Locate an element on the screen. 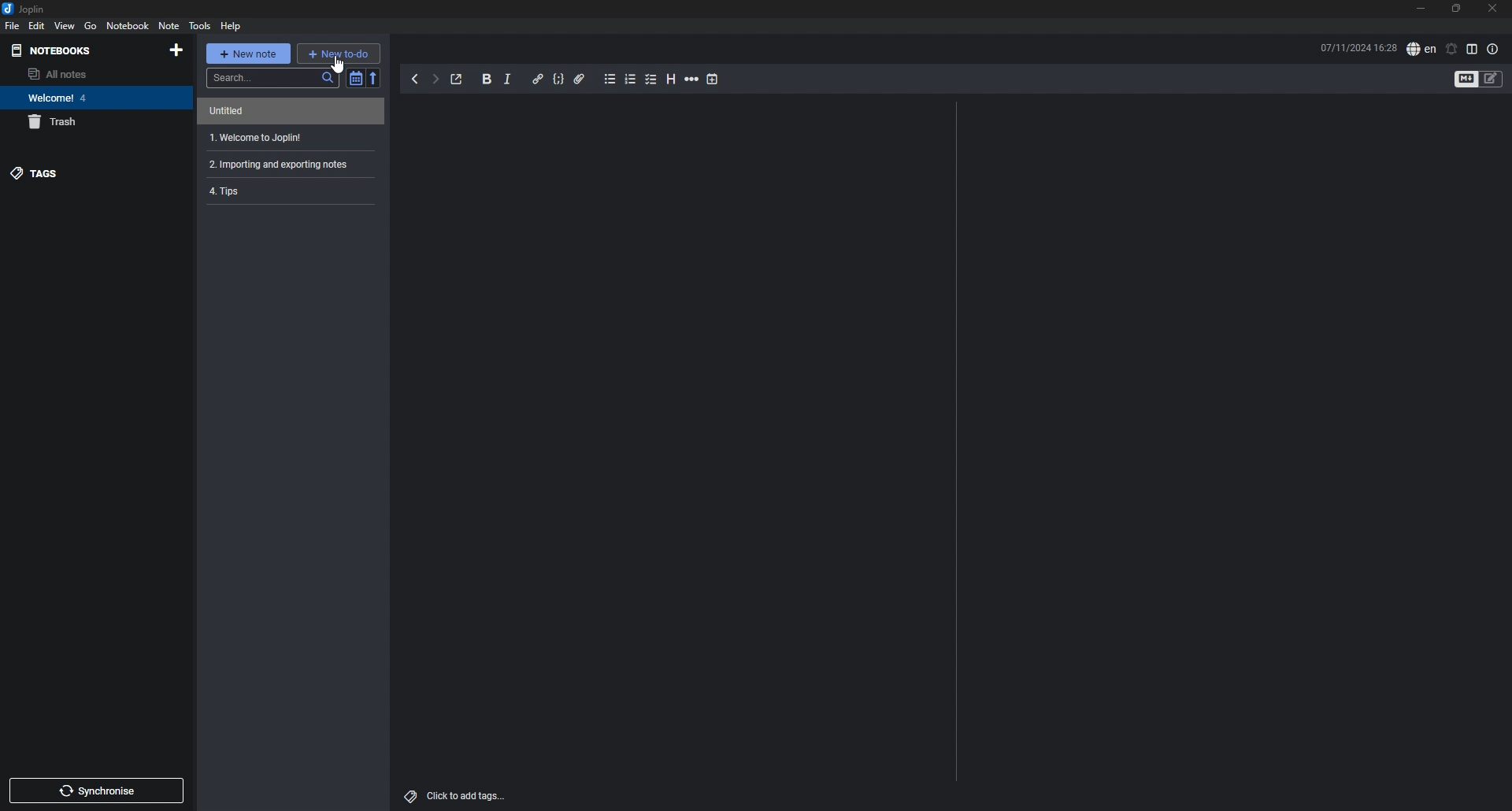 Image resolution: width=1512 pixels, height=811 pixels. numbered list is located at coordinates (631, 80).